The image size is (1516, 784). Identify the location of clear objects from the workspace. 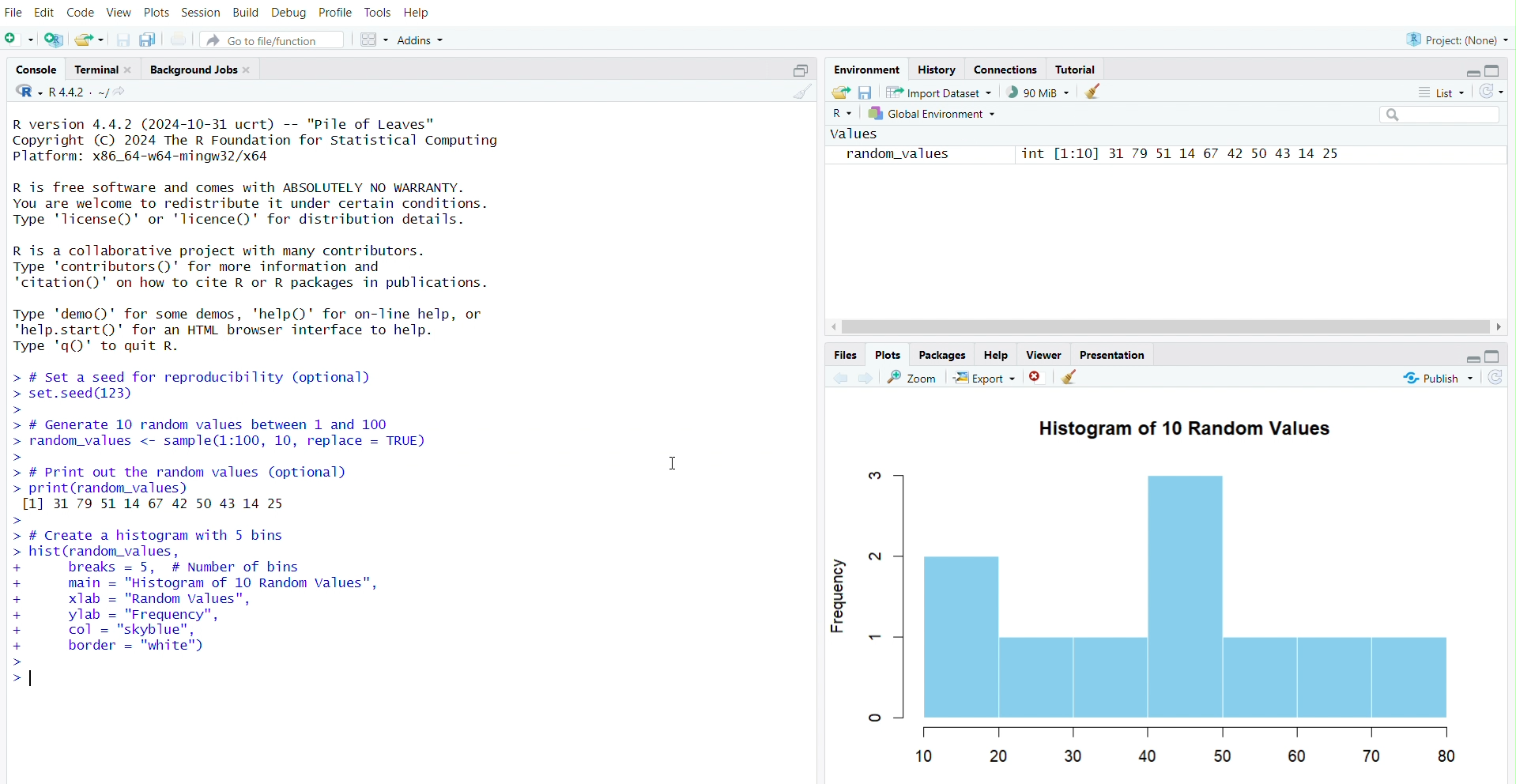
(1095, 92).